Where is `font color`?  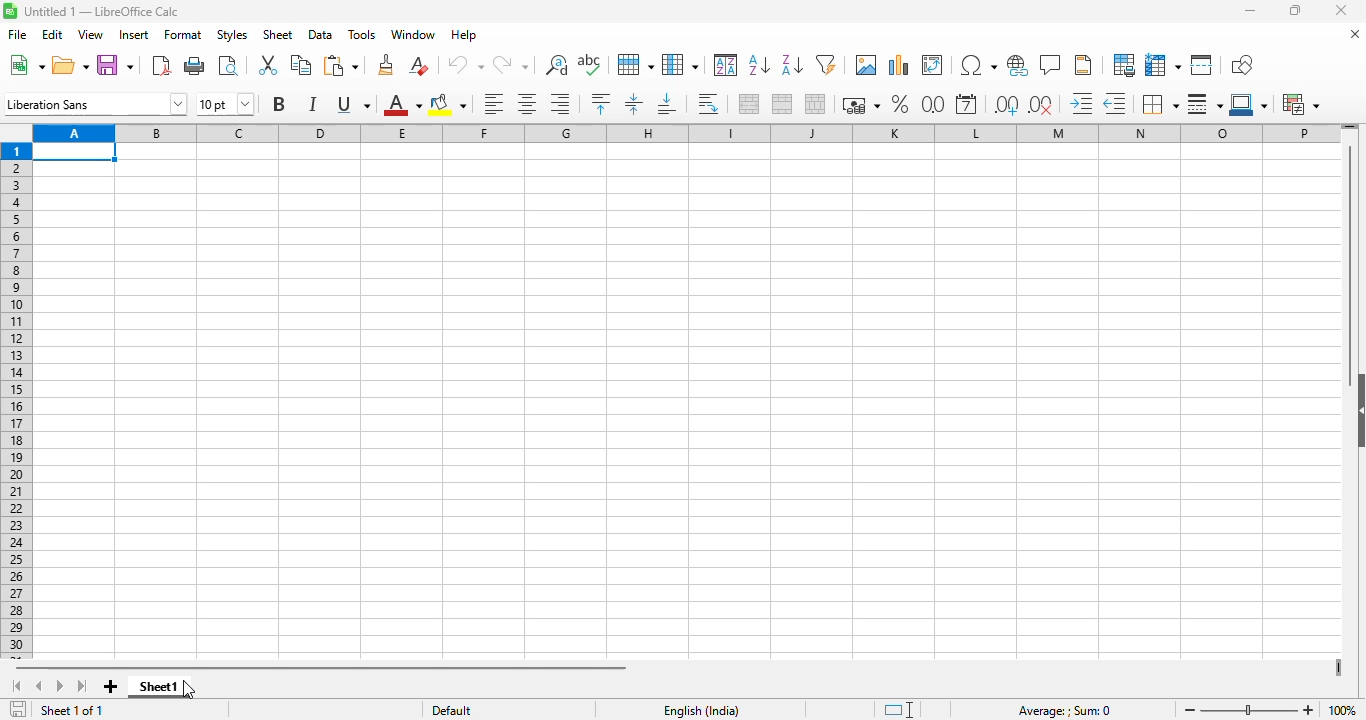
font color is located at coordinates (401, 104).